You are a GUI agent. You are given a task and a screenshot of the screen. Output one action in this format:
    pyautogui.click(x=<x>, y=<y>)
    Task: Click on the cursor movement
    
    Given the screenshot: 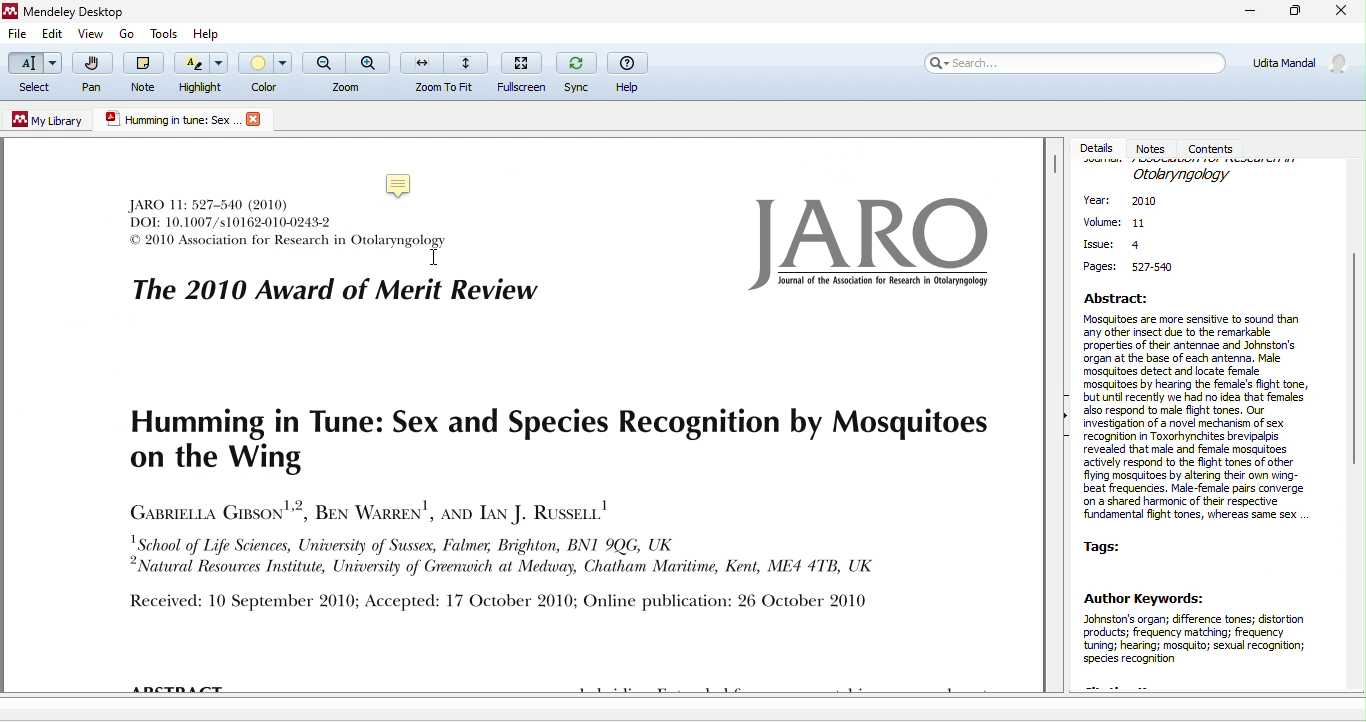 What is the action you would take?
    pyautogui.click(x=433, y=257)
    